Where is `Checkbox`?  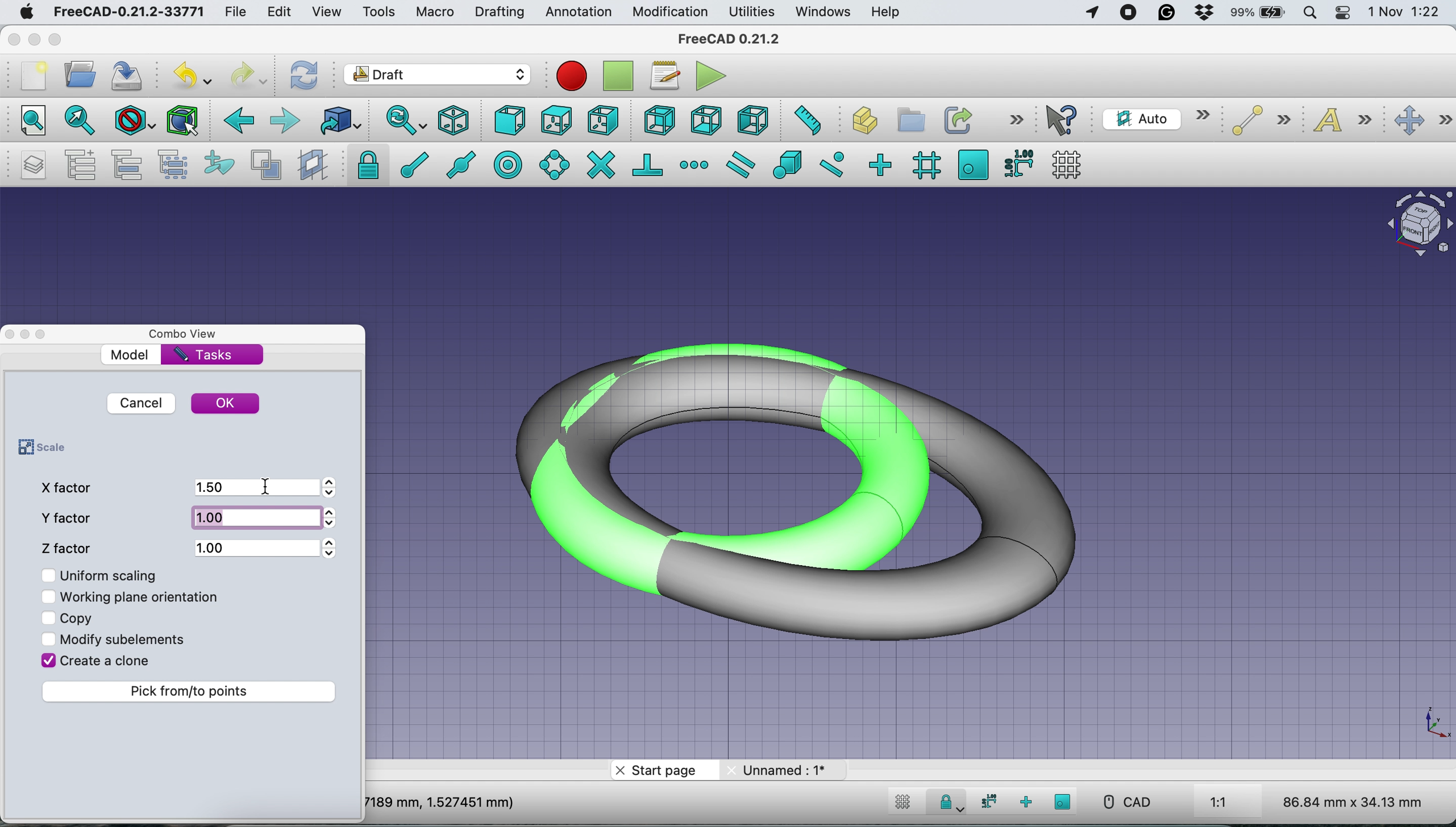
Checkbox is located at coordinates (48, 640).